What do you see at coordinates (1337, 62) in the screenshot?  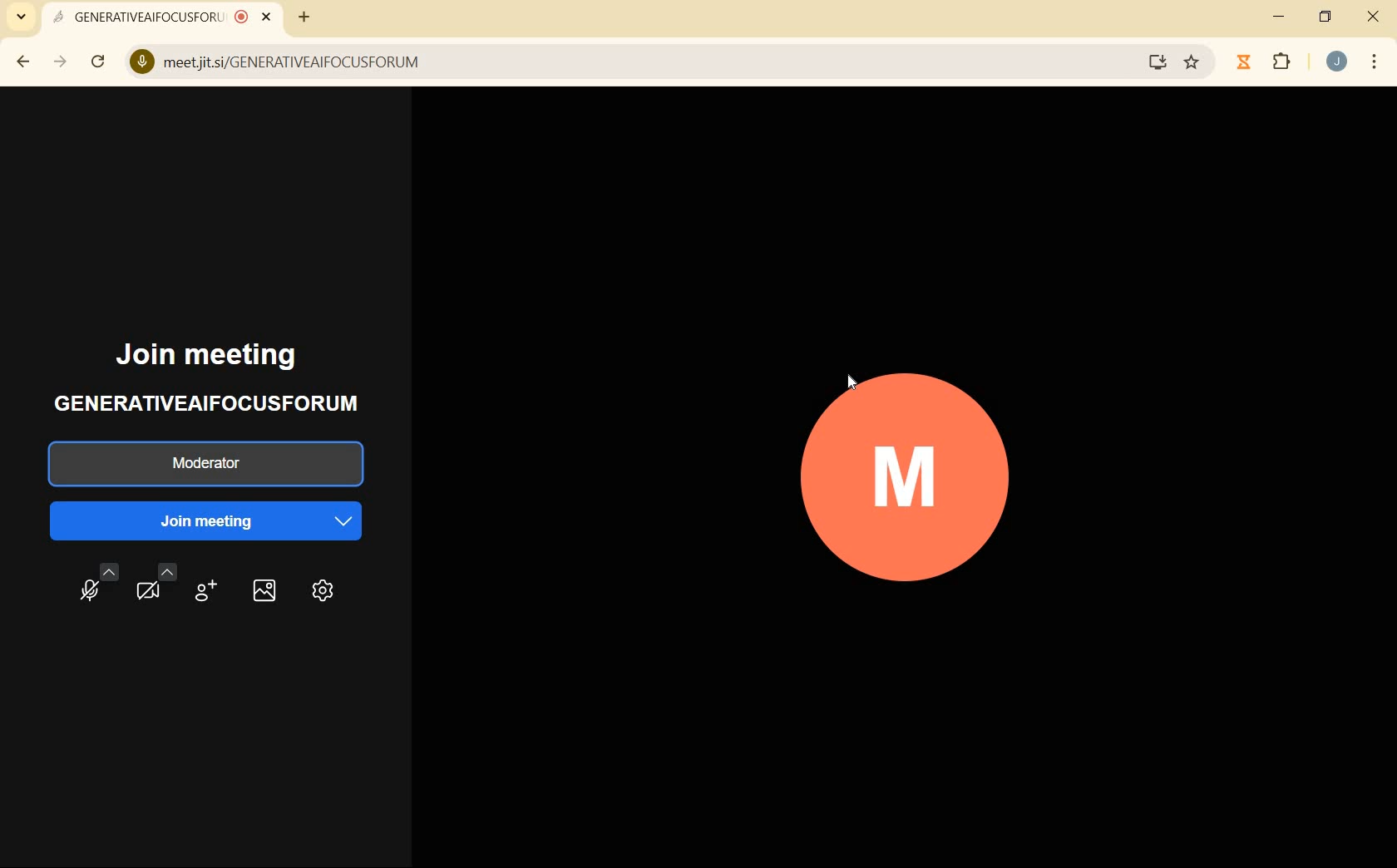 I see `ACCOUNT` at bounding box center [1337, 62].